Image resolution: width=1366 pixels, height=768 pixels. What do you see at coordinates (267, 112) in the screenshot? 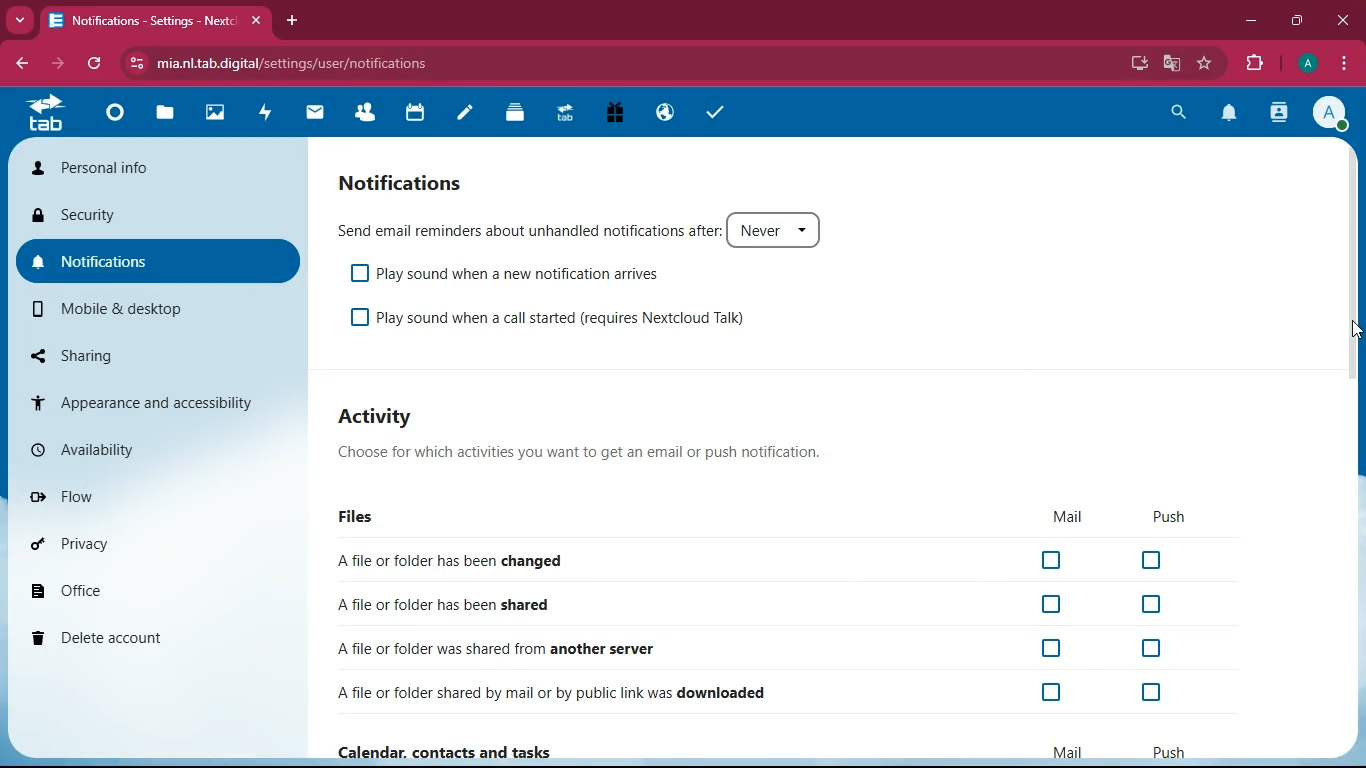
I see `activity` at bounding box center [267, 112].